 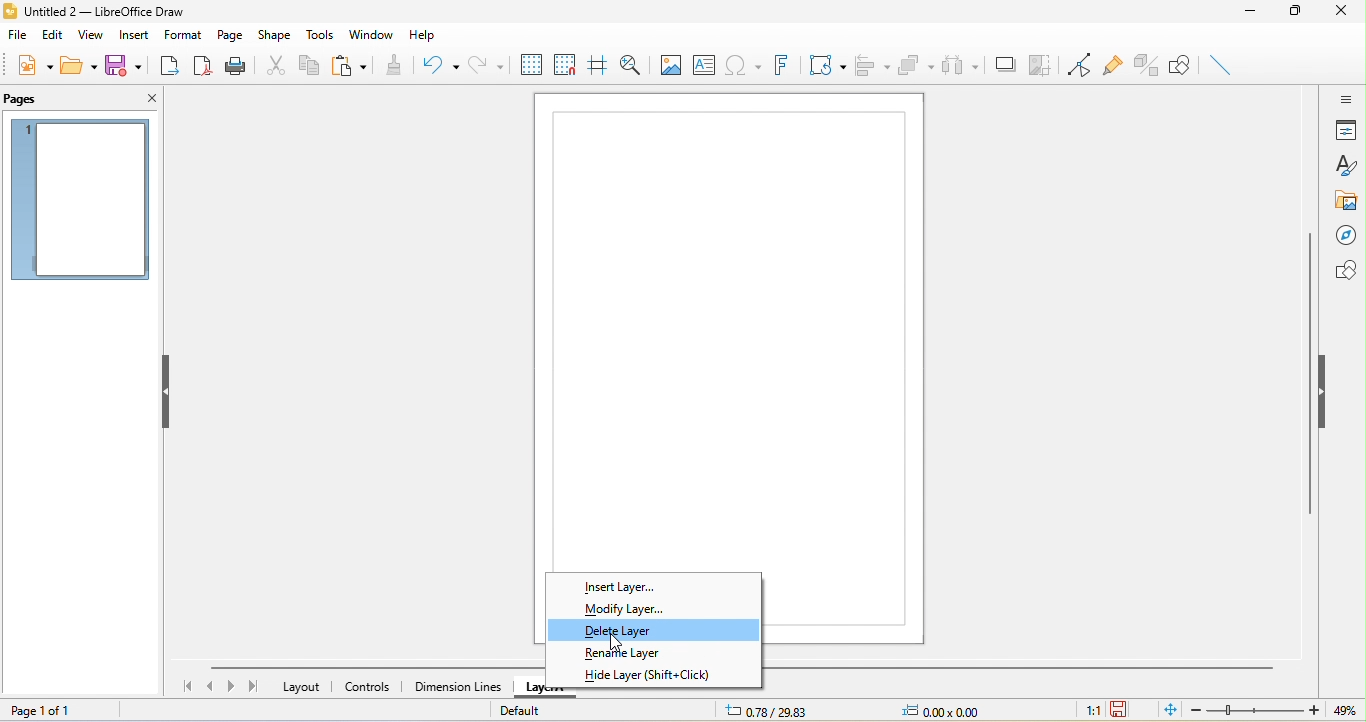 I want to click on clone formatting, so click(x=393, y=67).